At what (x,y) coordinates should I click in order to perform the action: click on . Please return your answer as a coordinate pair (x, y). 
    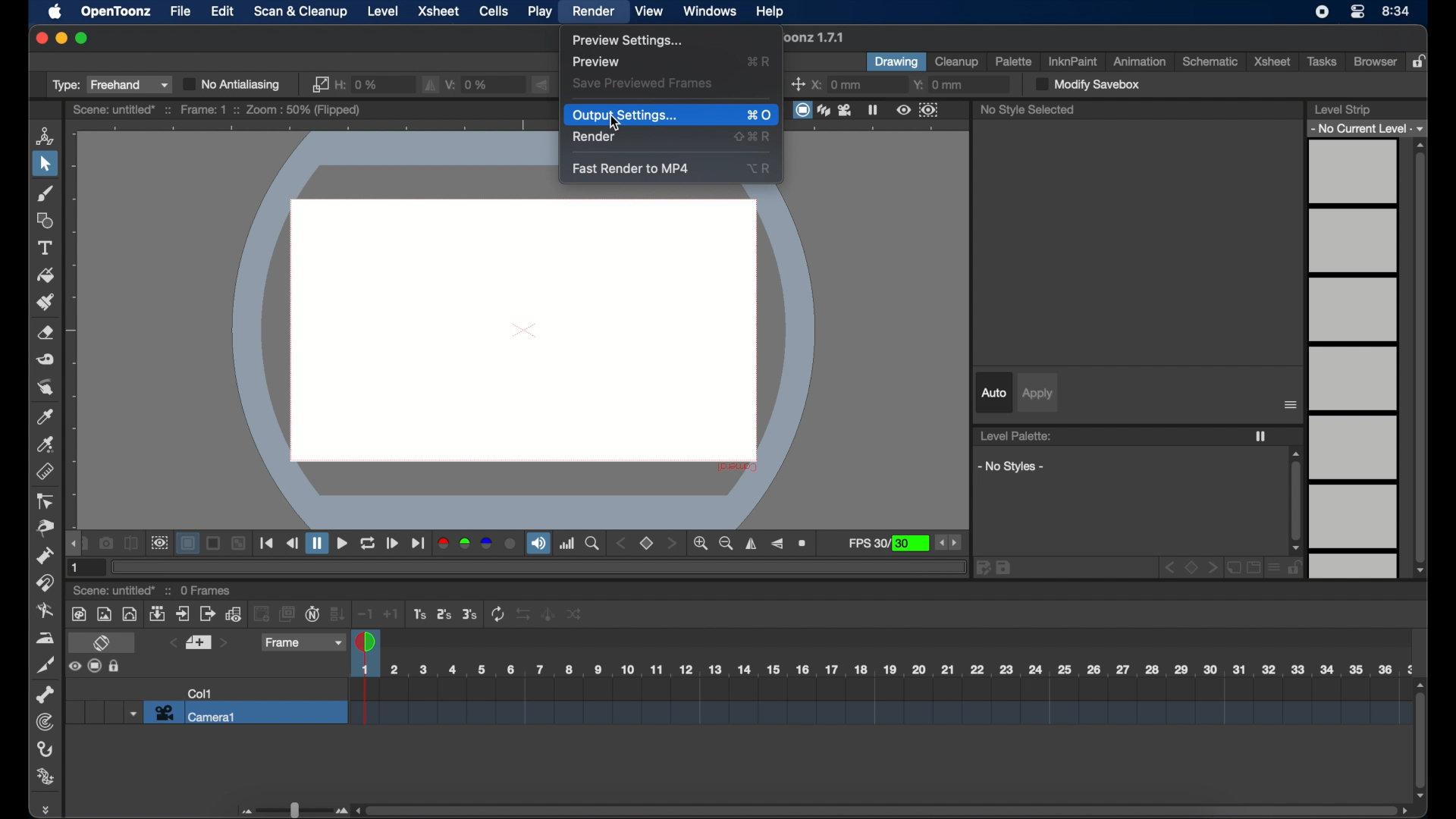
    Looking at the image, I should click on (419, 613).